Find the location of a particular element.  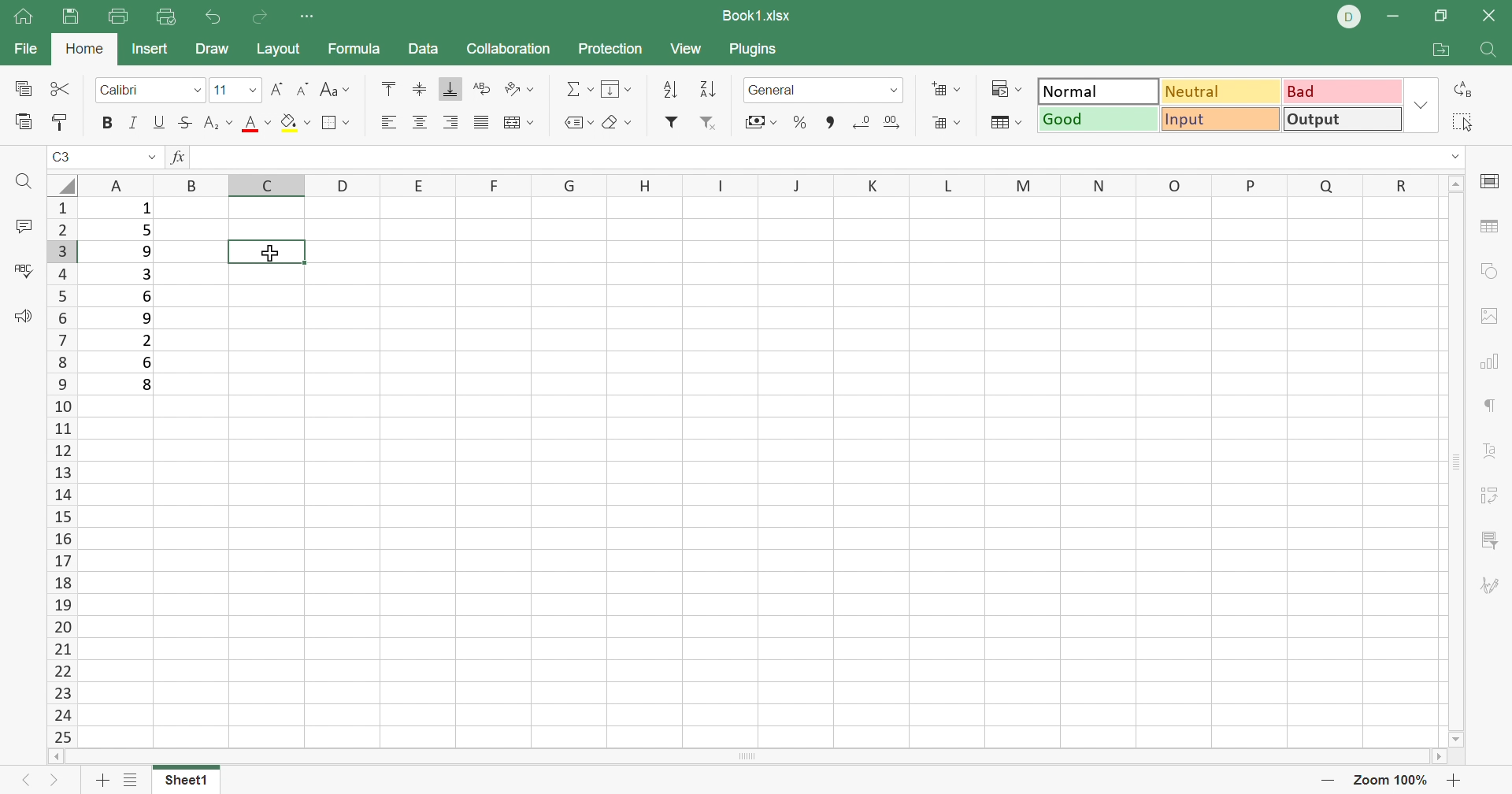

fx is located at coordinates (179, 156).